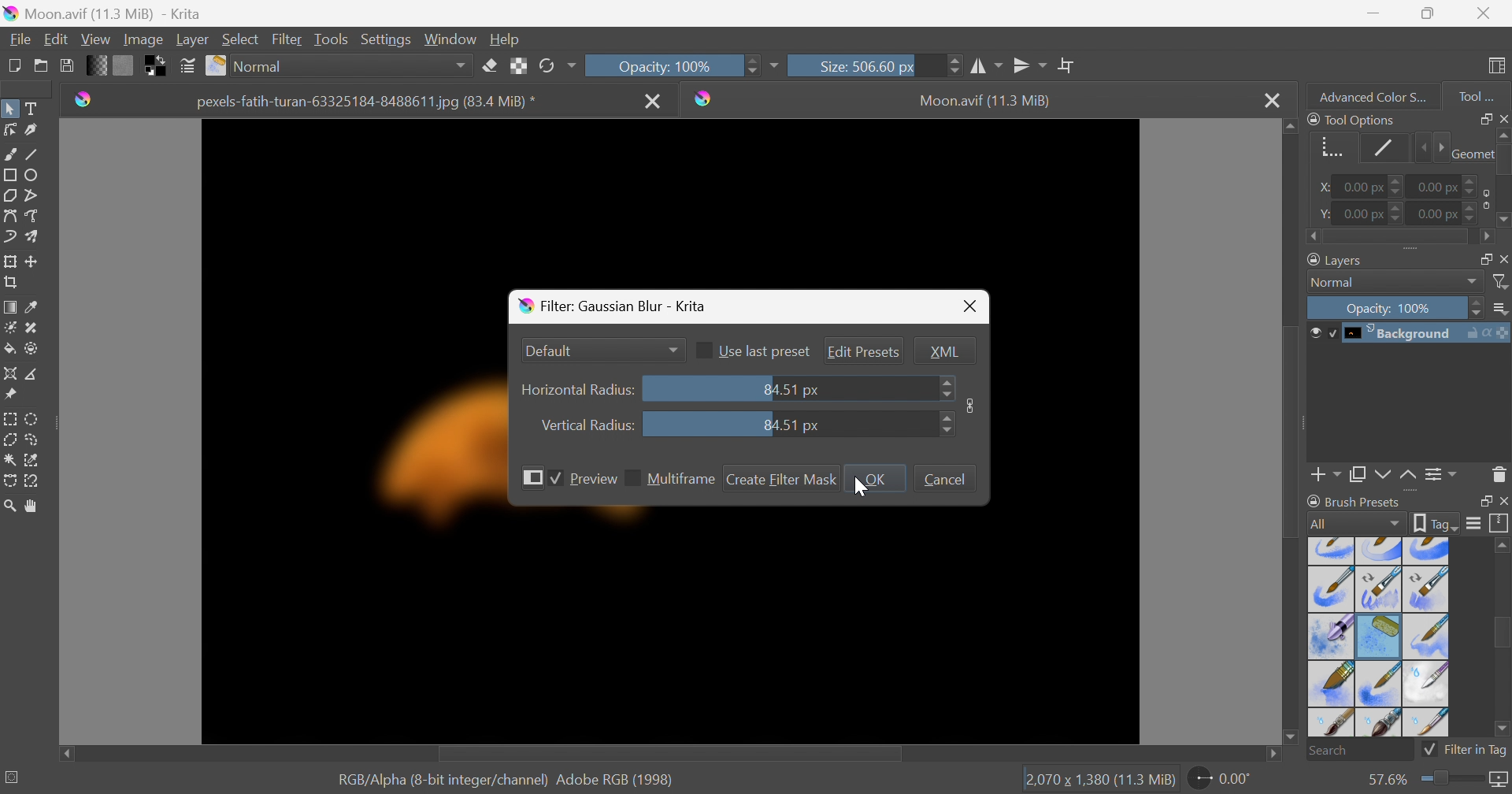  What do you see at coordinates (672, 66) in the screenshot?
I see `Opacity: 100%` at bounding box center [672, 66].